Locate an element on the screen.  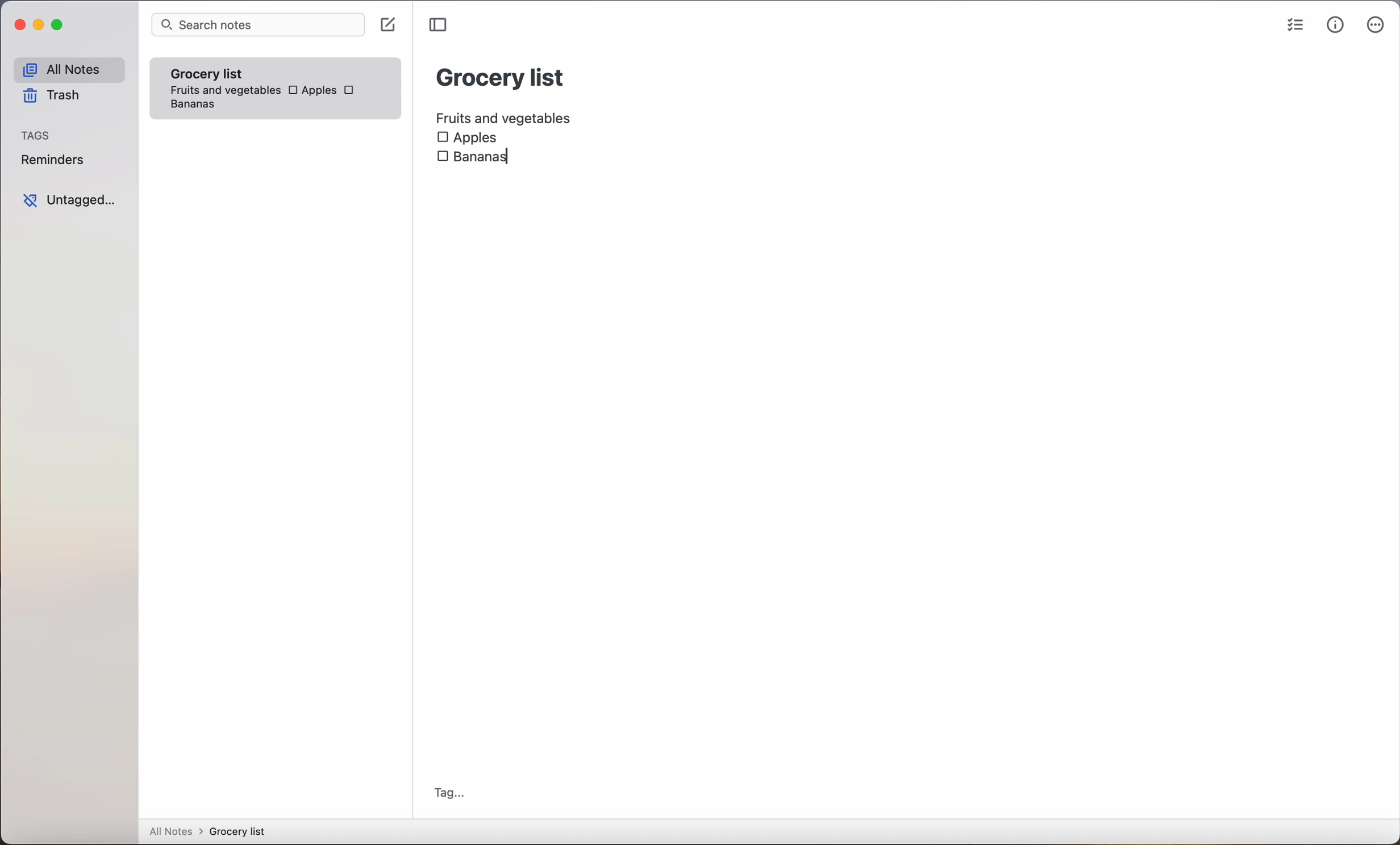
metrics is located at coordinates (1335, 26).